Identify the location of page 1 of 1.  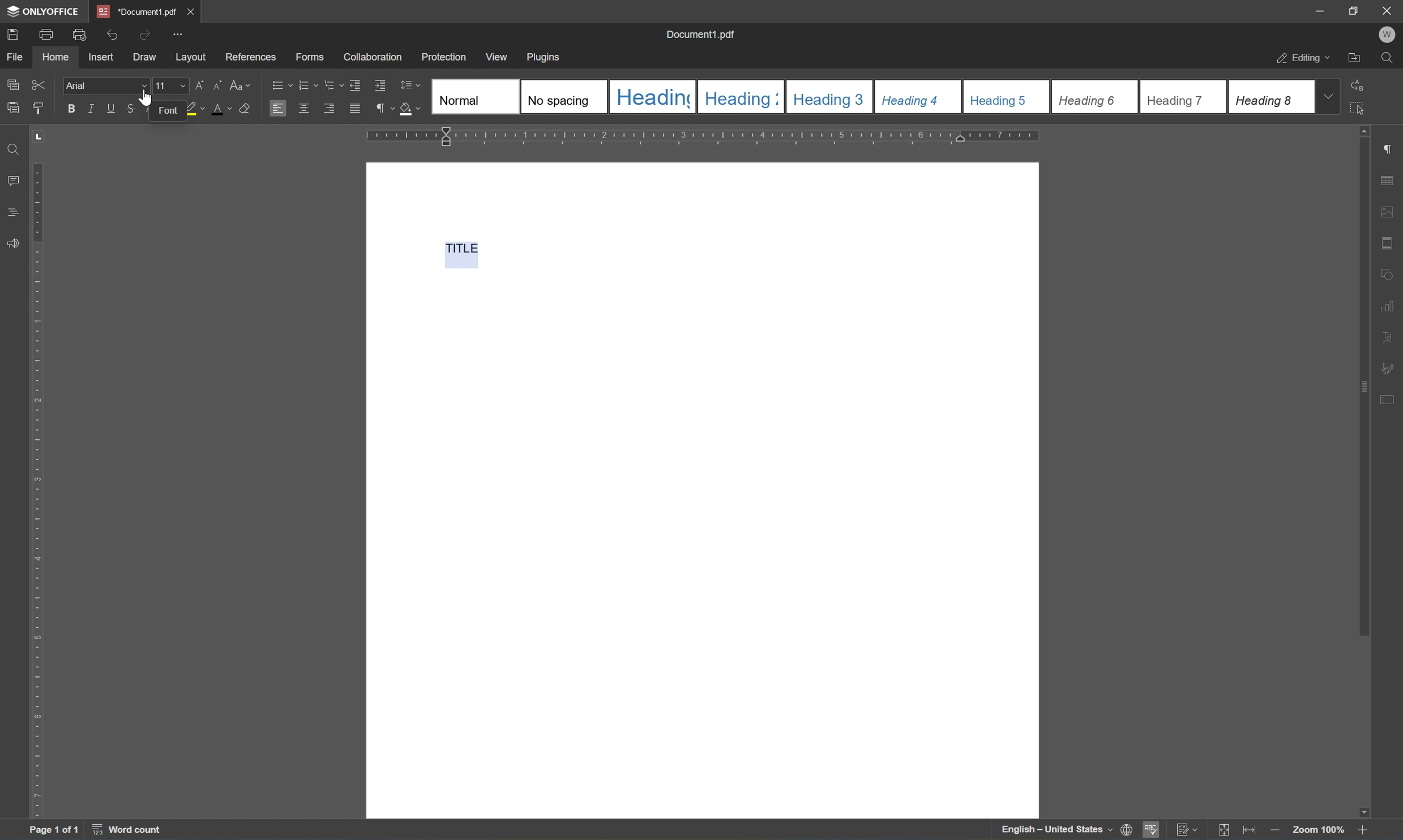
(54, 828).